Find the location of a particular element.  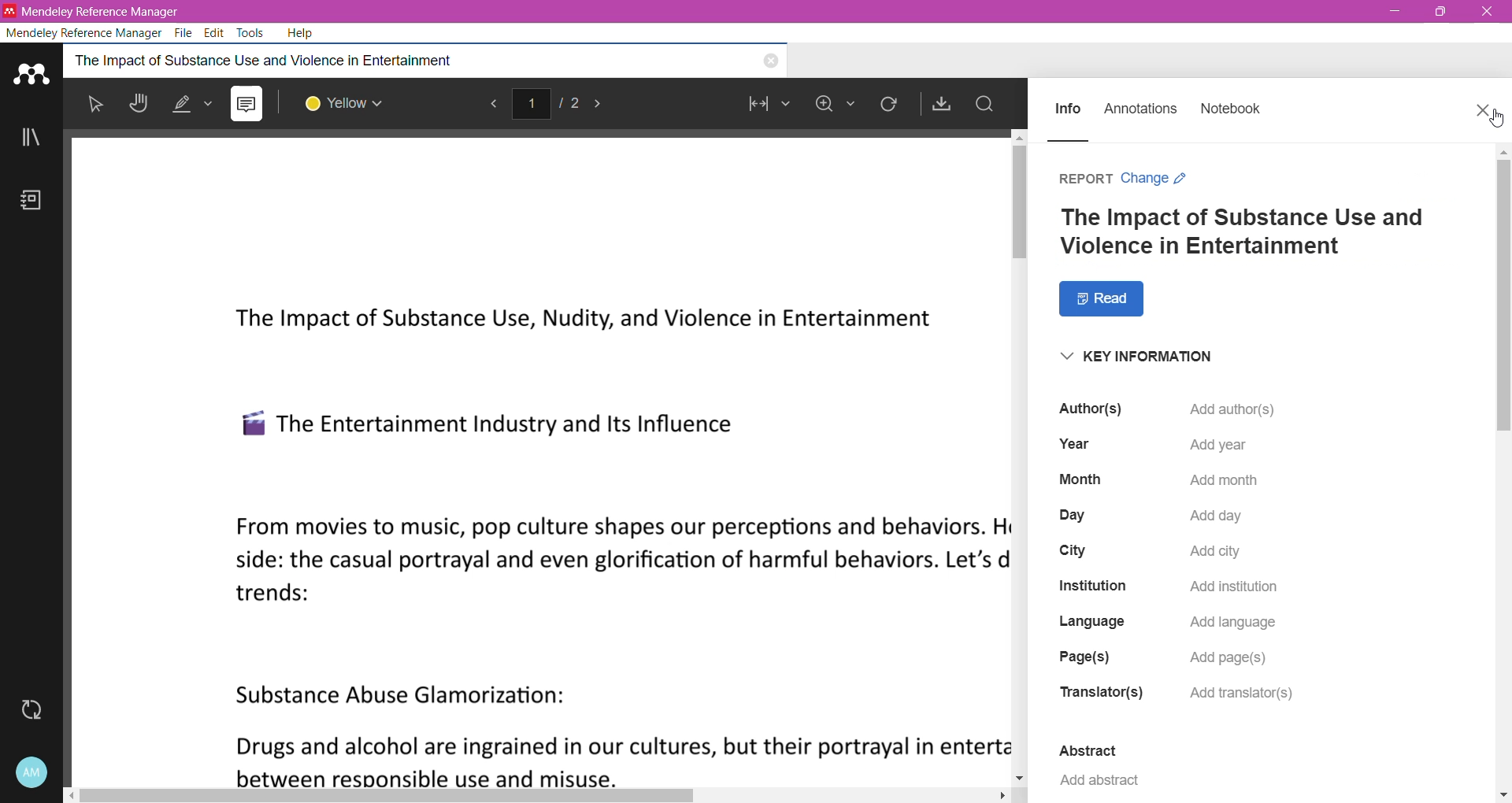

Click to add abstract is located at coordinates (1239, 409).